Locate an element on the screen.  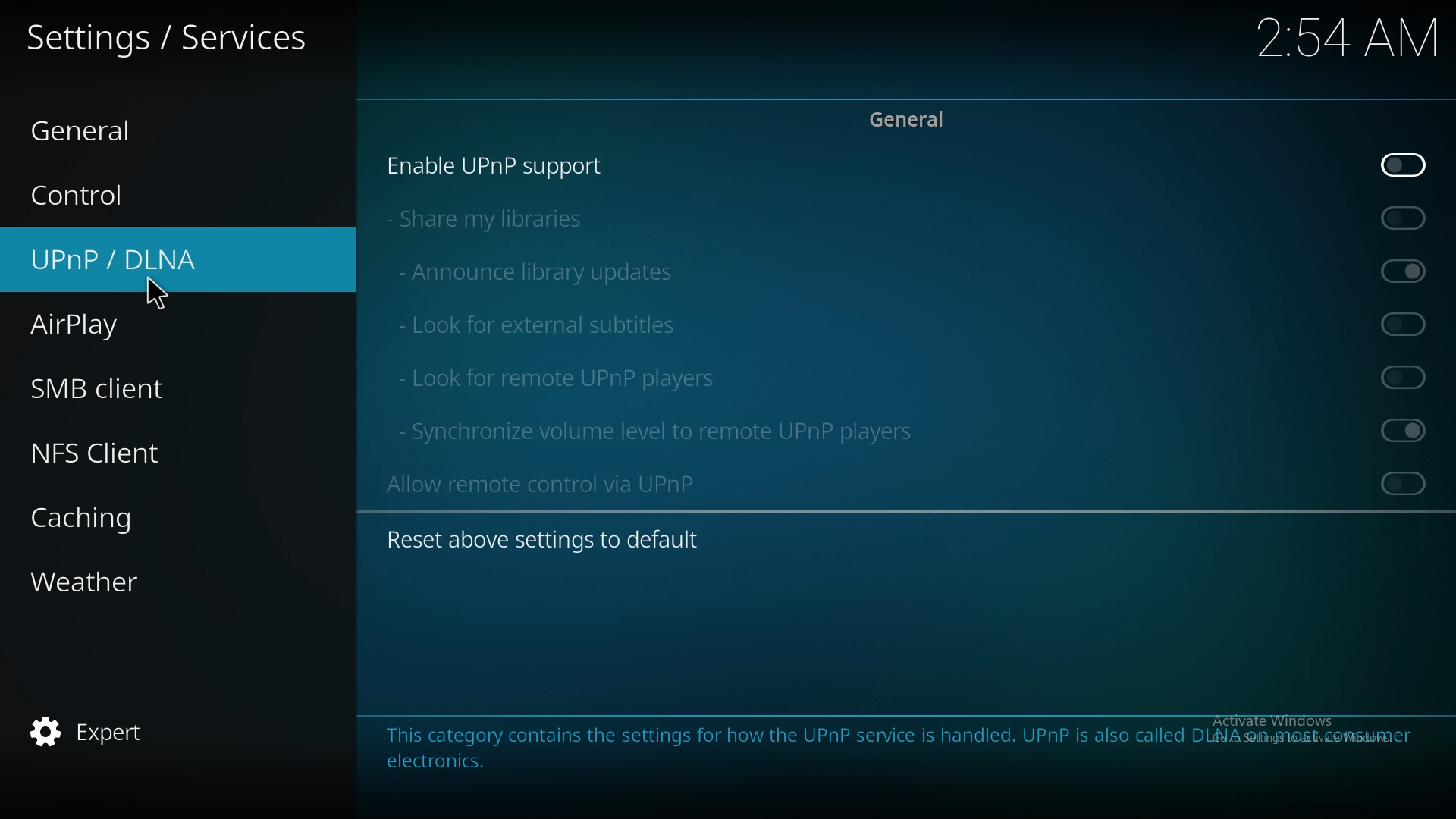
expert is located at coordinates (98, 735).